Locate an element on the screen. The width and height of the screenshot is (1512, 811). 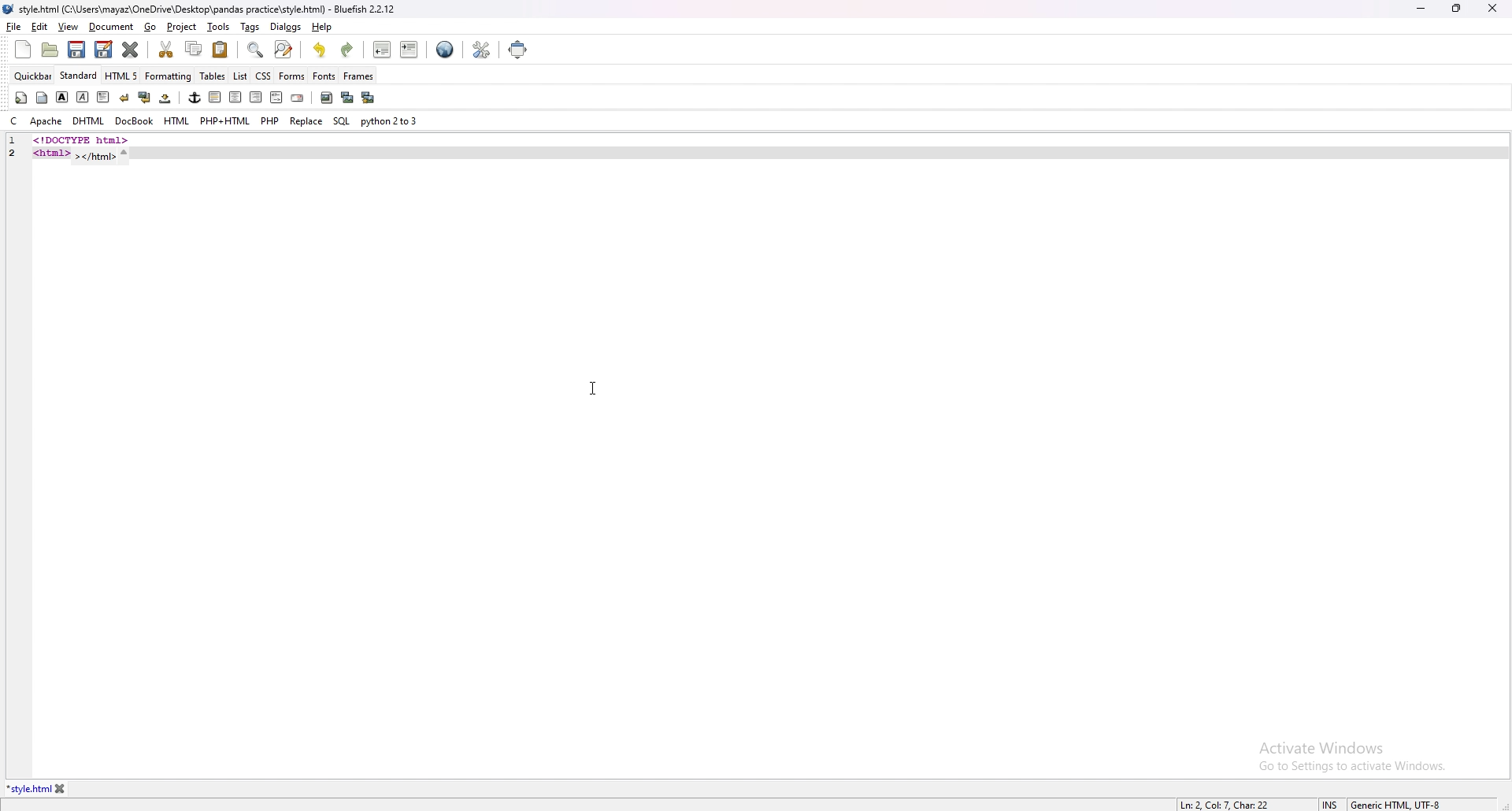
non breaking space is located at coordinates (166, 98).